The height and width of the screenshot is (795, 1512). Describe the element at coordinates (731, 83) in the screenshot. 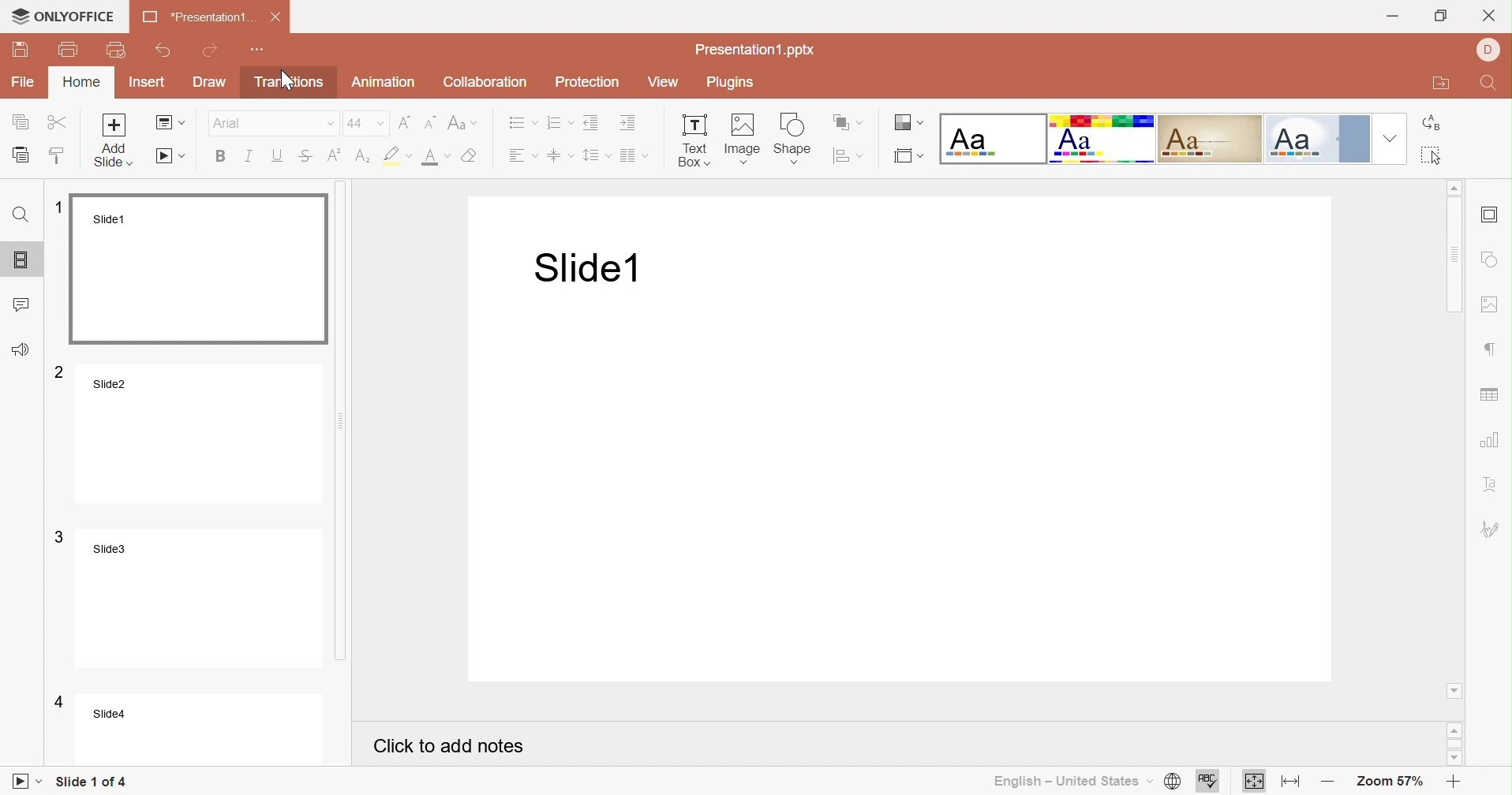

I see `Plugins` at that location.